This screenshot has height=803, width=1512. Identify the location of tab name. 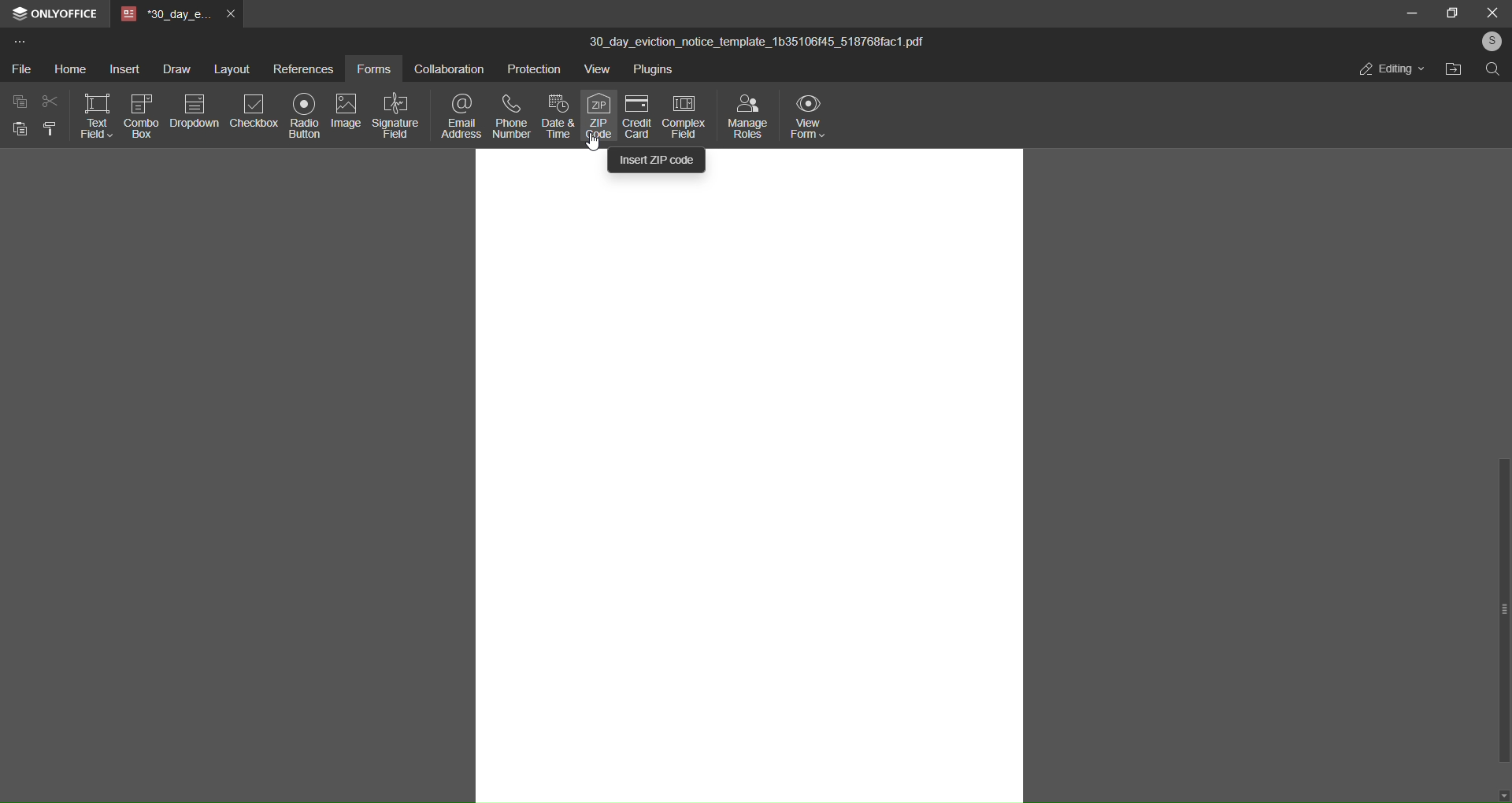
(170, 13).